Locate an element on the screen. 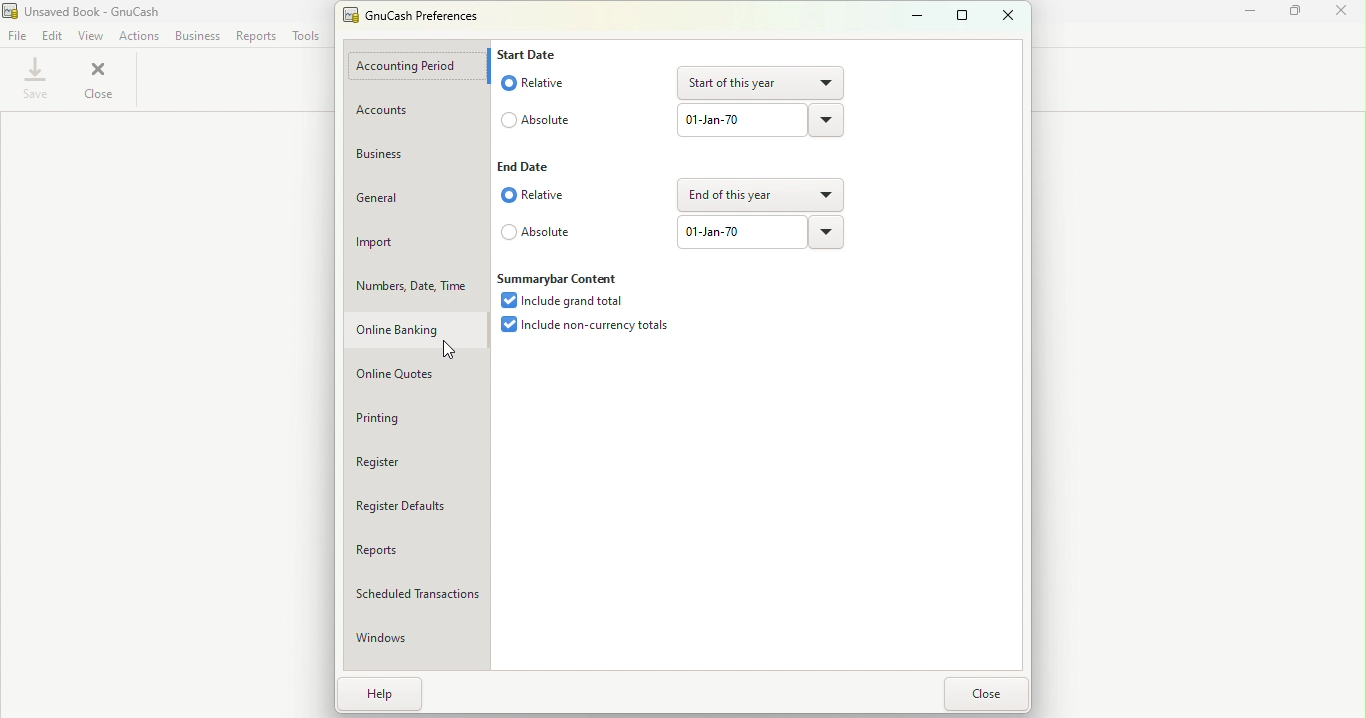 This screenshot has height=718, width=1366. Drop down is located at coordinates (827, 231).